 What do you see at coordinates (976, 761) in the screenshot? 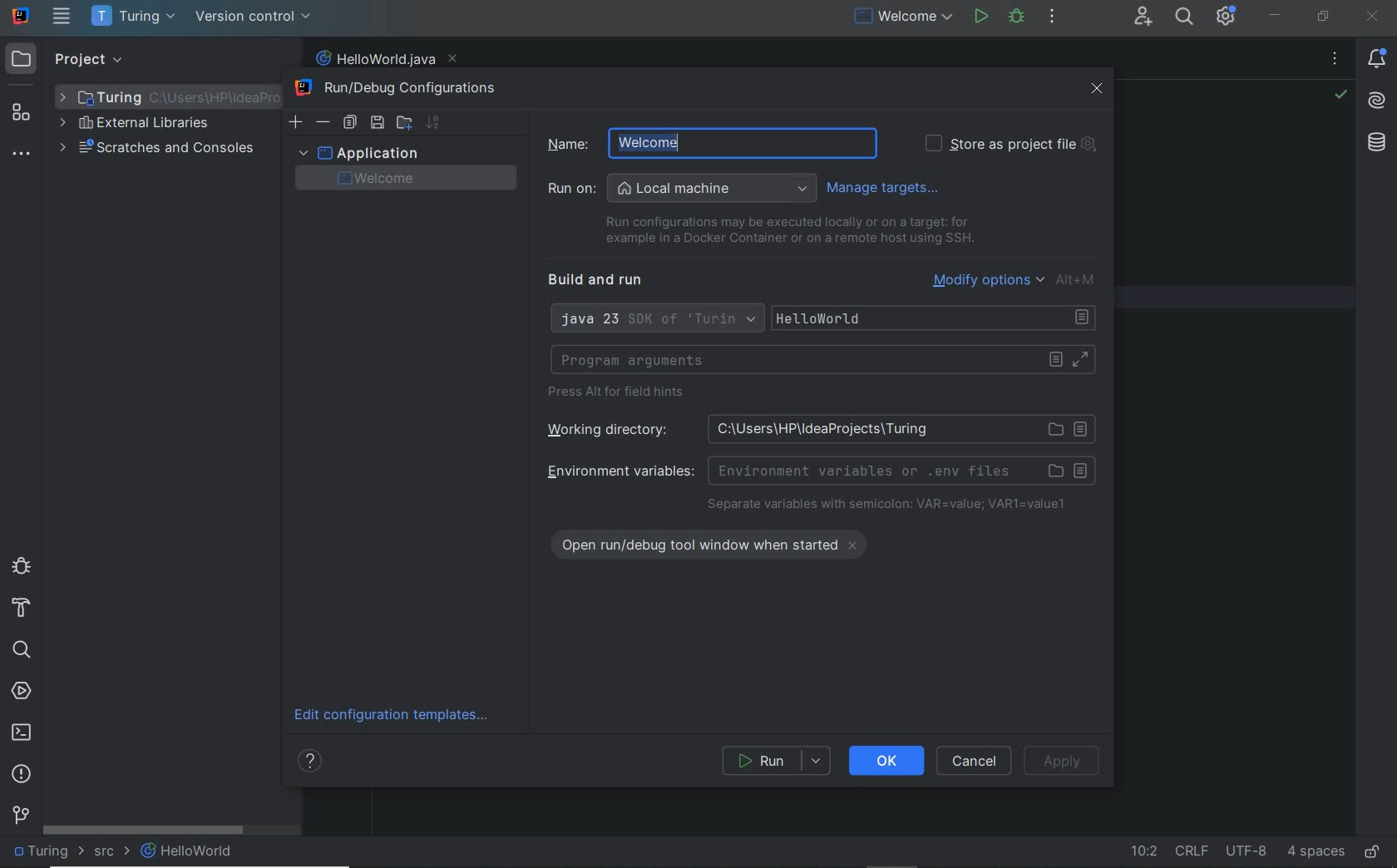
I see `cancel` at bounding box center [976, 761].